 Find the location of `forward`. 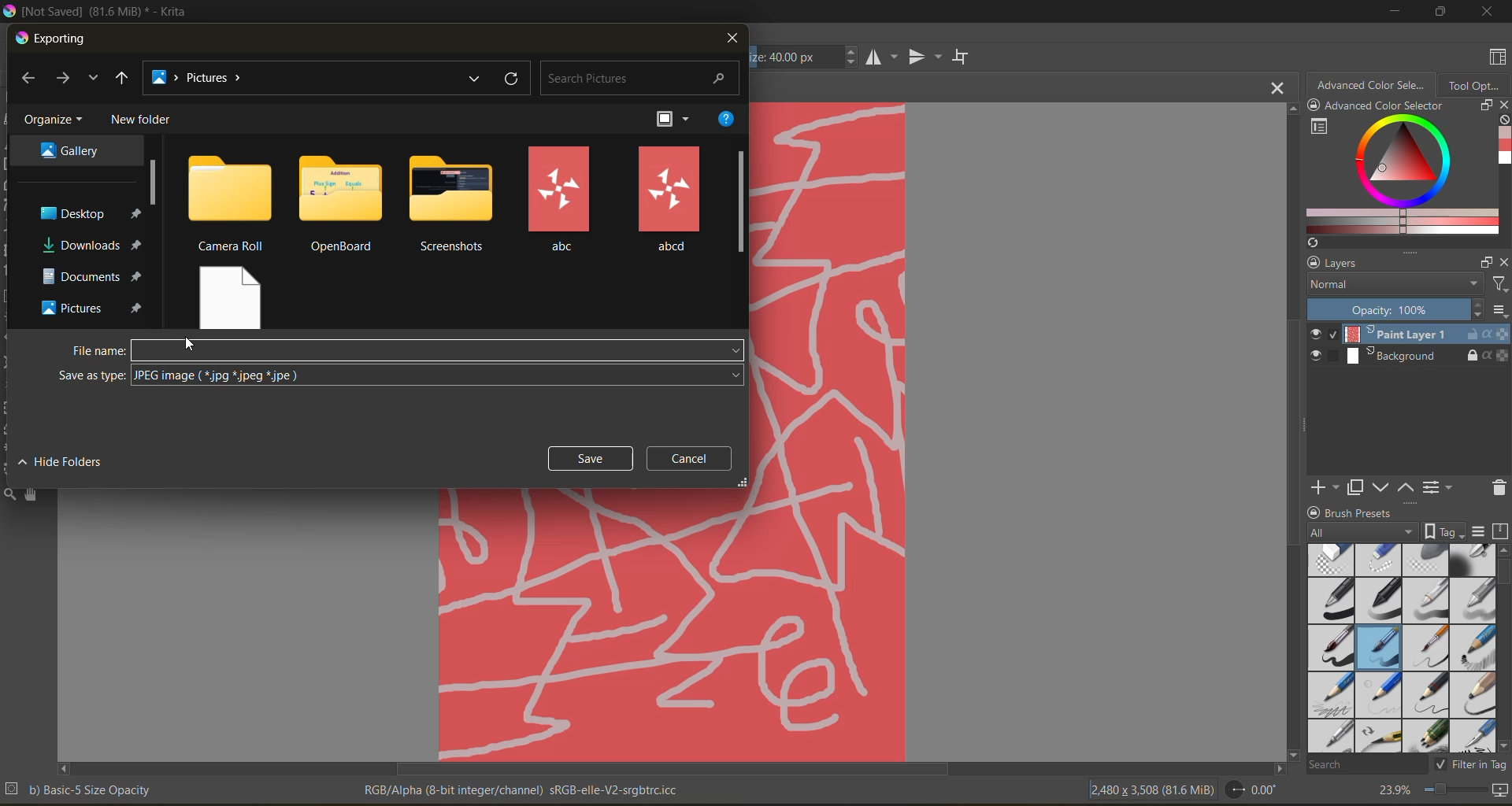

forward is located at coordinates (66, 79).